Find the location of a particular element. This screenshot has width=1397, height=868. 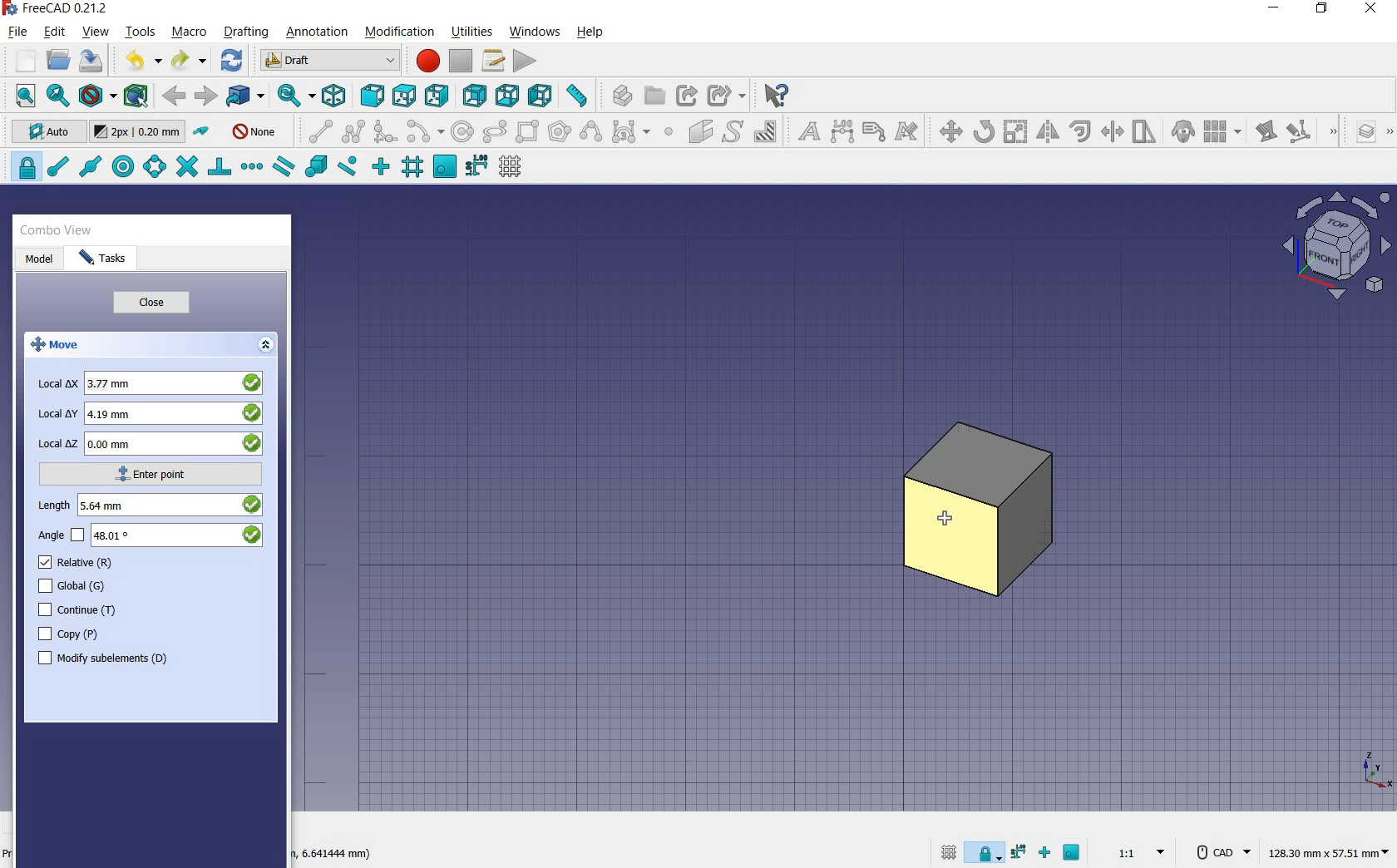

snap dimensions is located at coordinates (477, 167).